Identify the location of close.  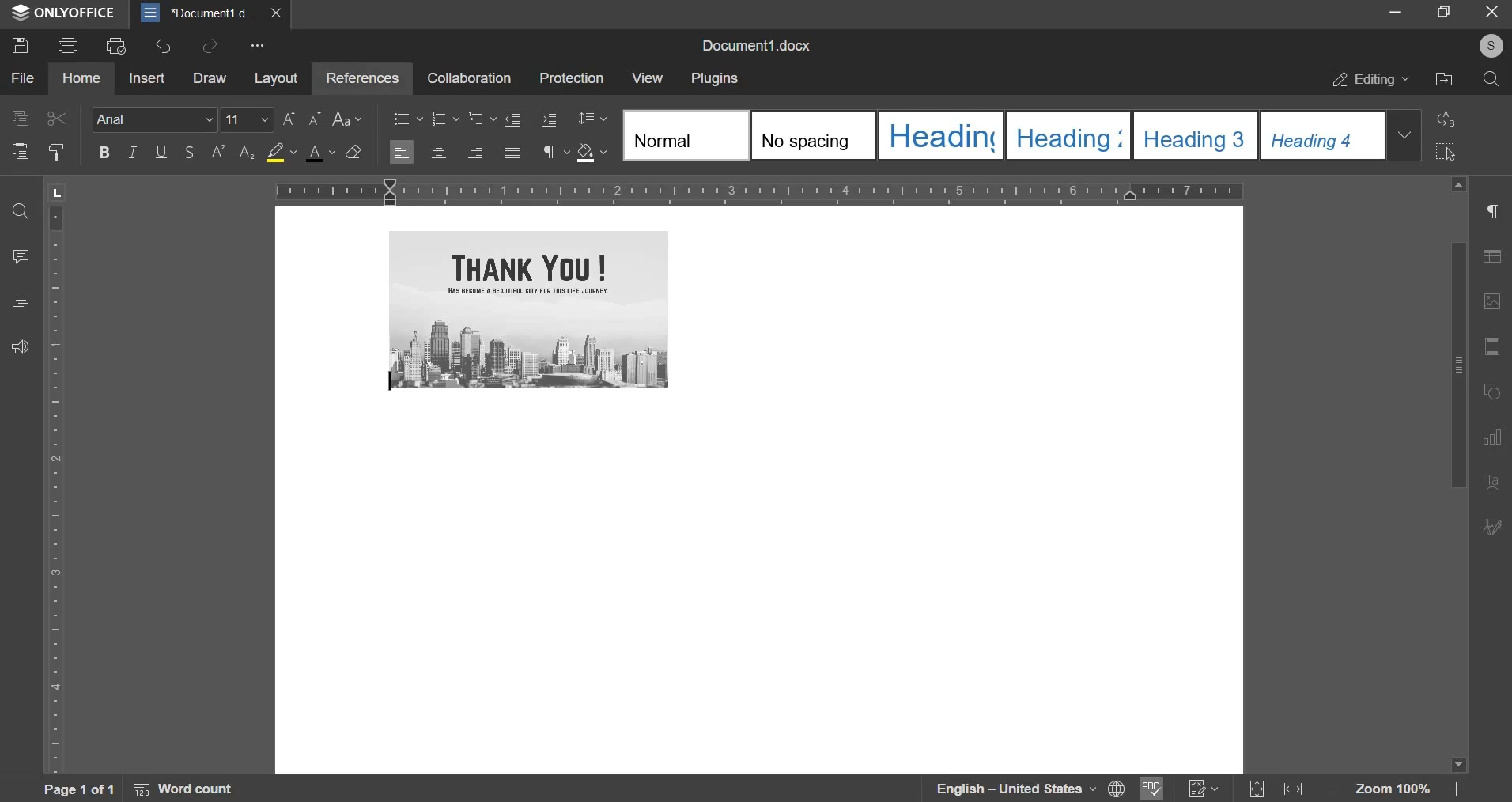
(280, 13).